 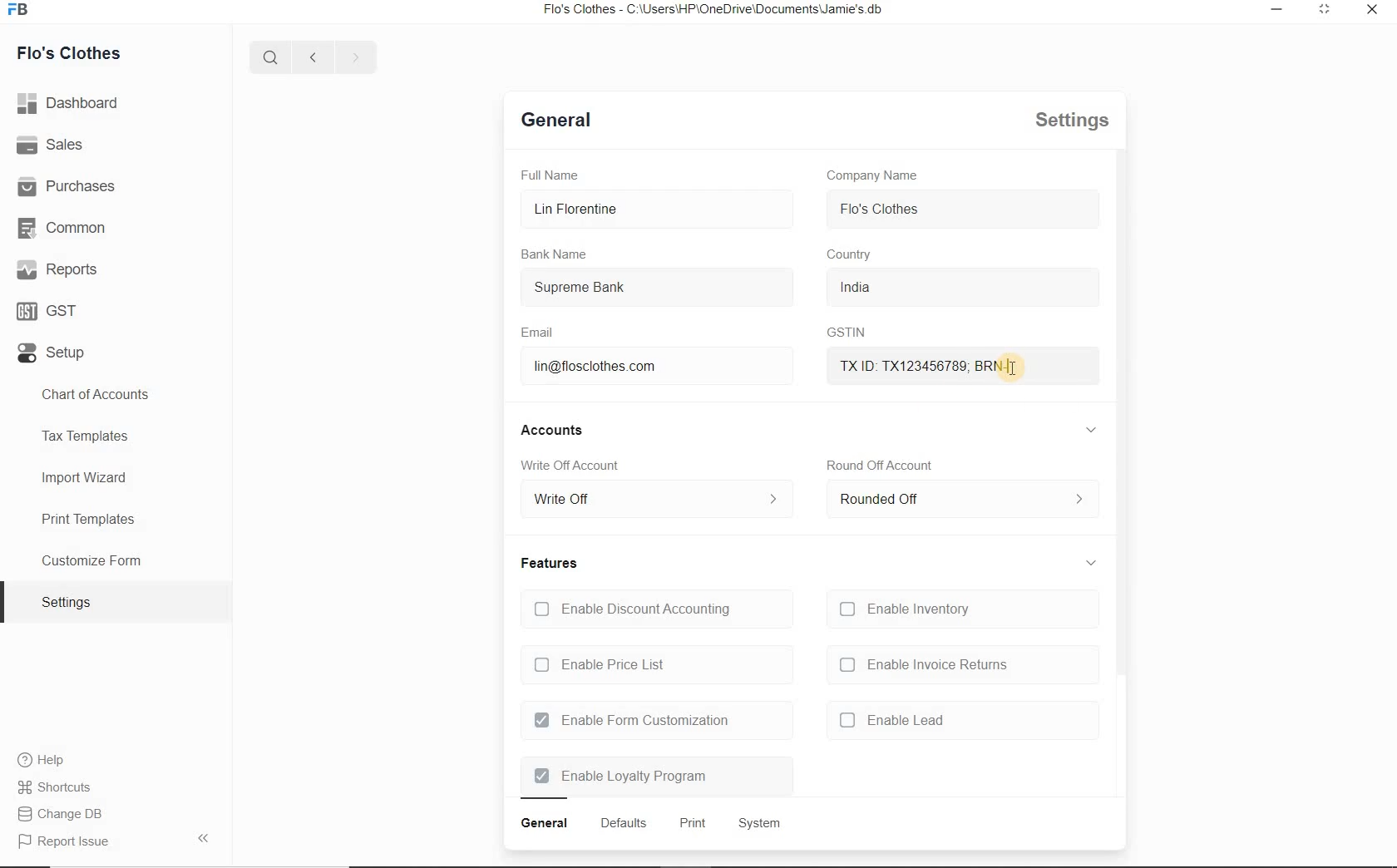 What do you see at coordinates (631, 609) in the screenshot?
I see `Enable Discount Accounting` at bounding box center [631, 609].